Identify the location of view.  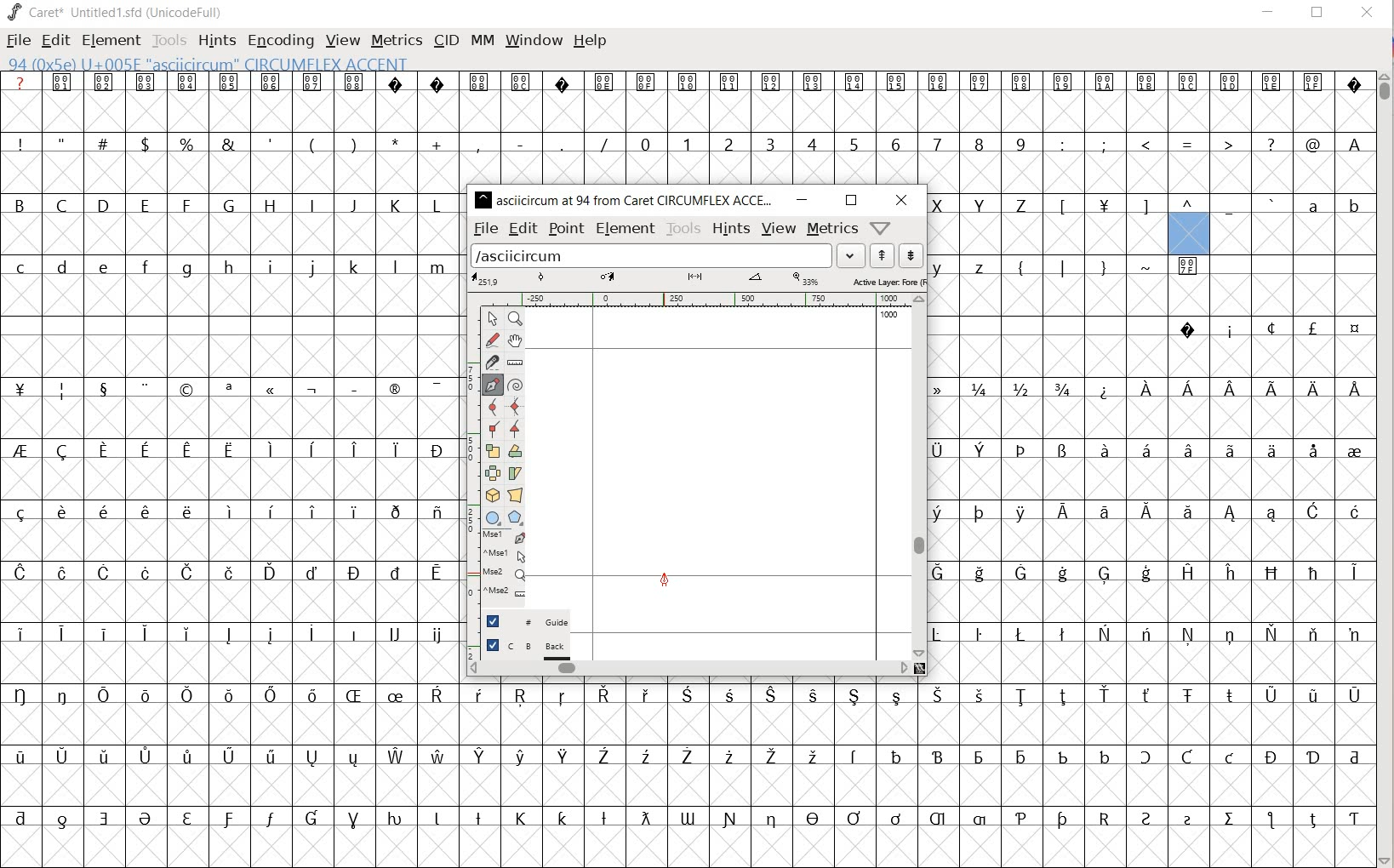
(779, 229).